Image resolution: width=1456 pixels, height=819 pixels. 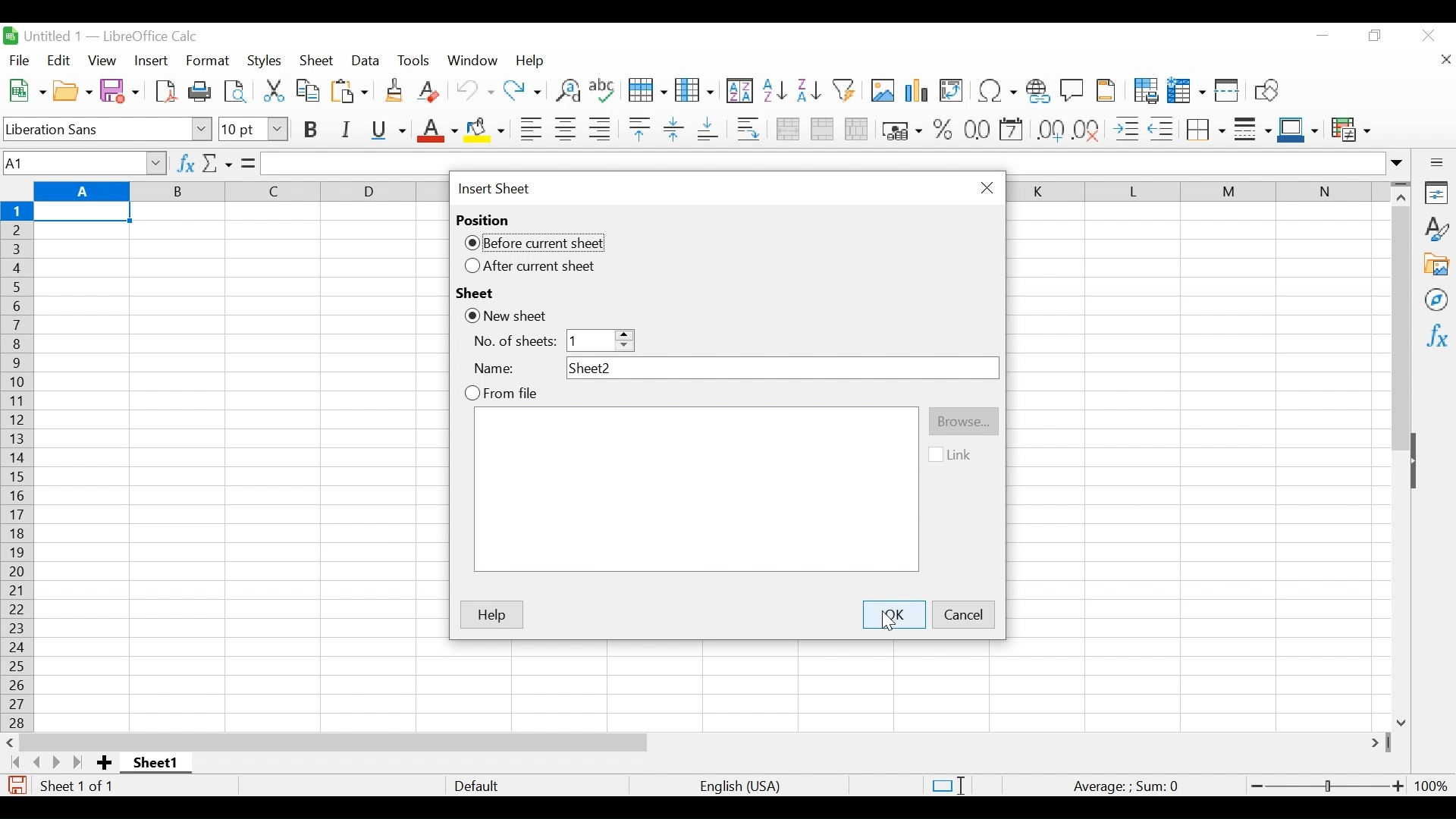 What do you see at coordinates (601, 91) in the screenshot?
I see `Spelling` at bounding box center [601, 91].